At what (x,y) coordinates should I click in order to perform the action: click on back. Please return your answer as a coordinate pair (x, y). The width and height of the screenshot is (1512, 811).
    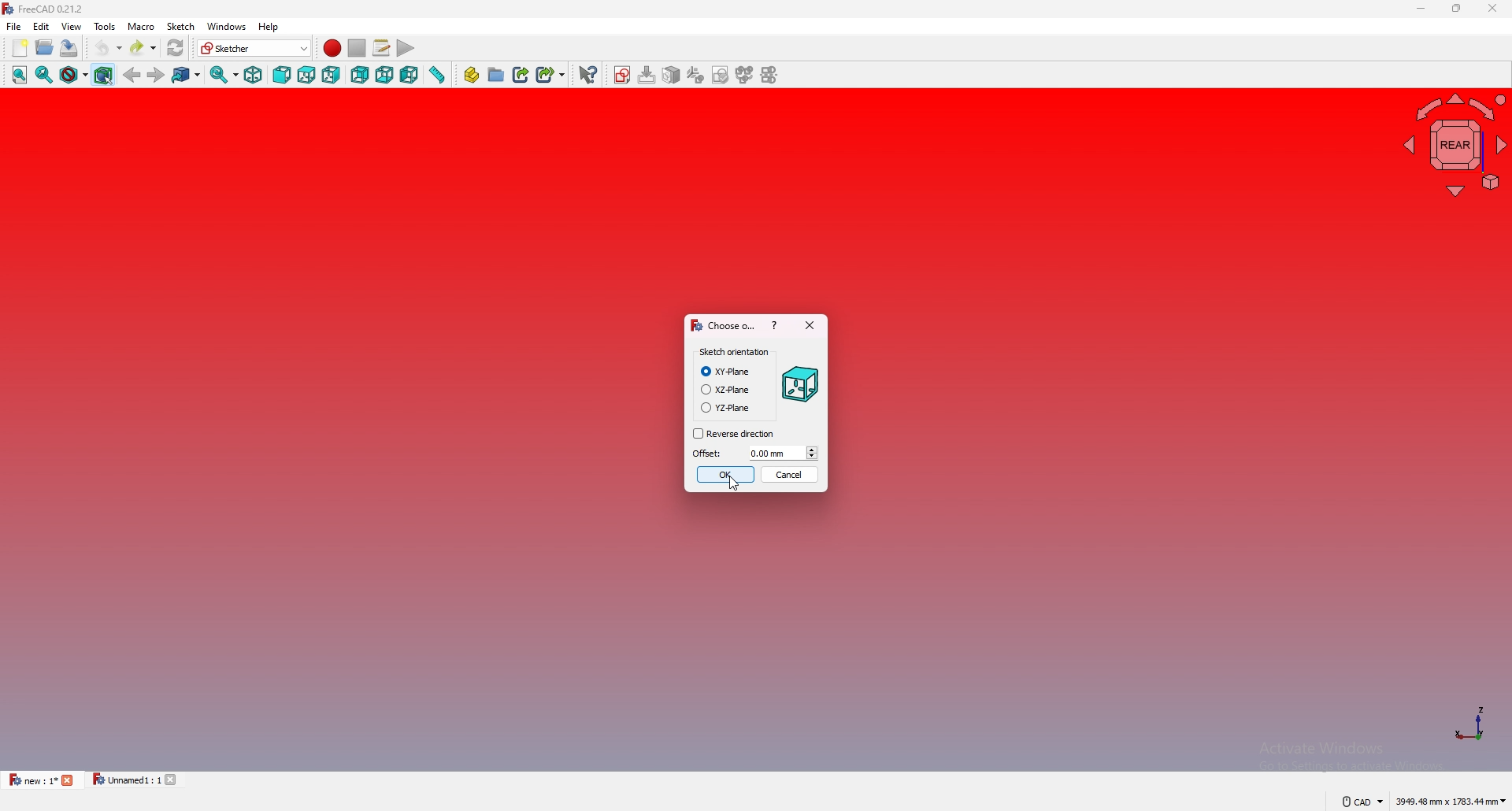
    Looking at the image, I should click on (133, 75).